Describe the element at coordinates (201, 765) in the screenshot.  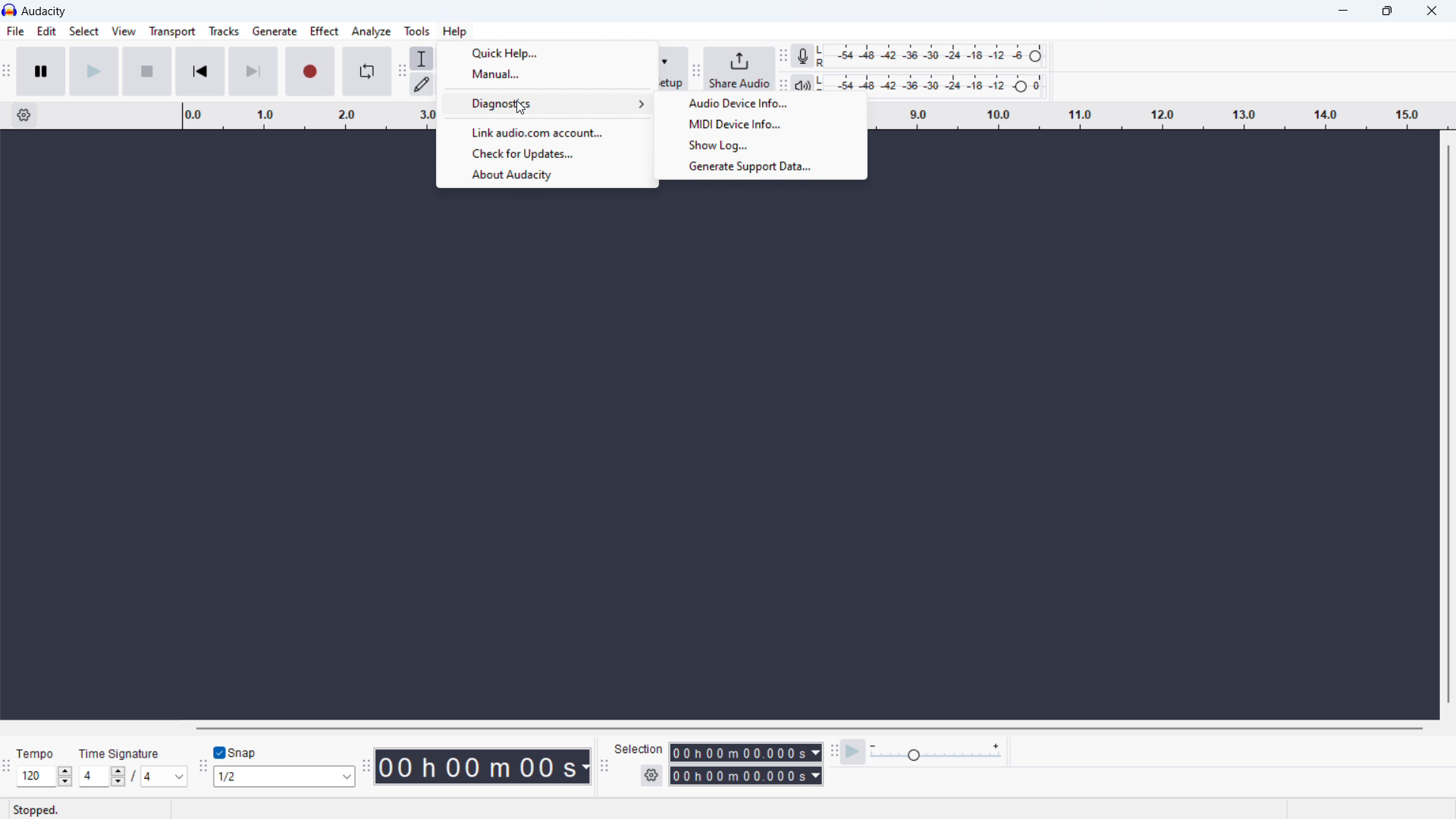
I see `snapping toolbar` at that location.